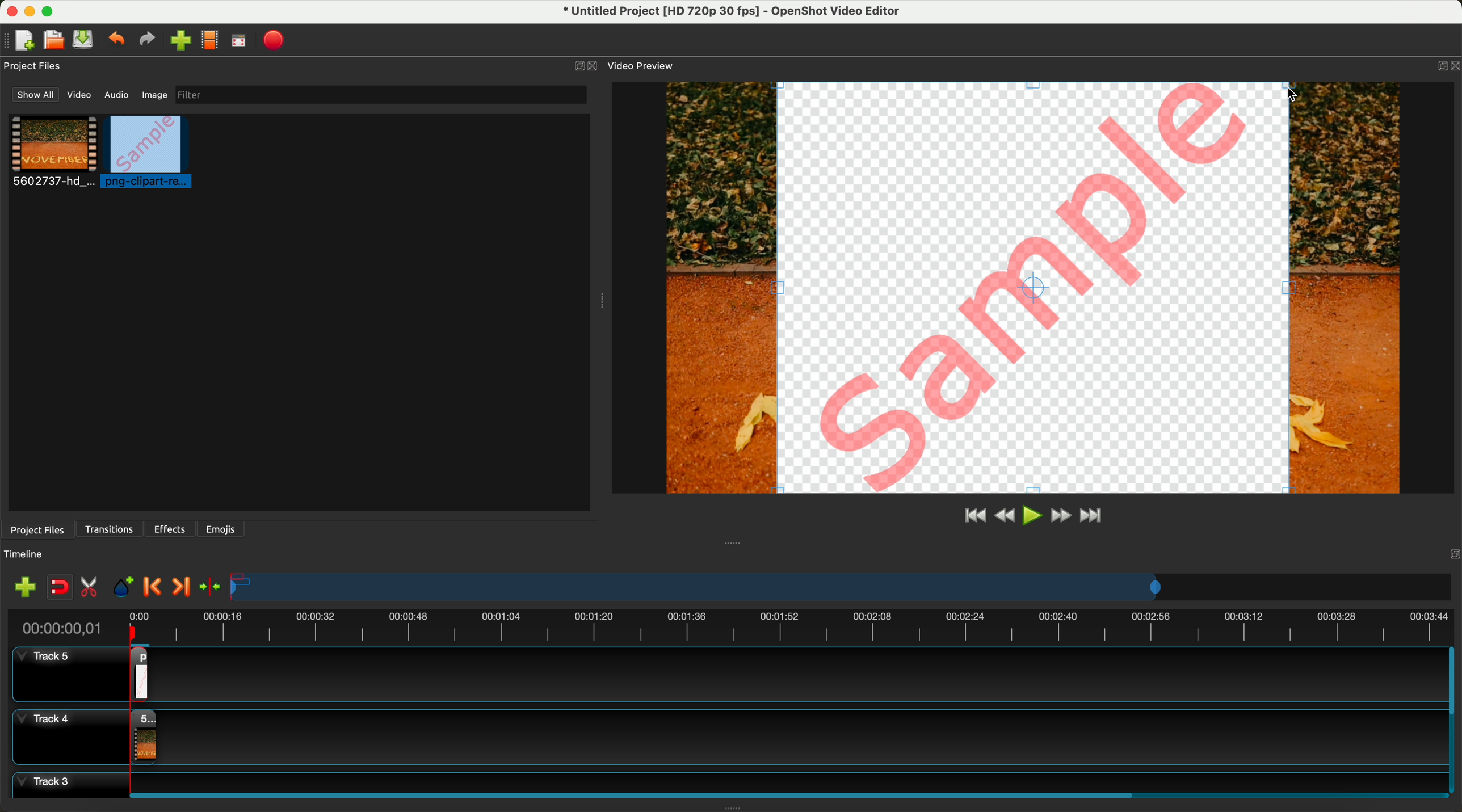  Describe the element at coordinates (60, 675) in the screenshot. I see `track 5` at that location.